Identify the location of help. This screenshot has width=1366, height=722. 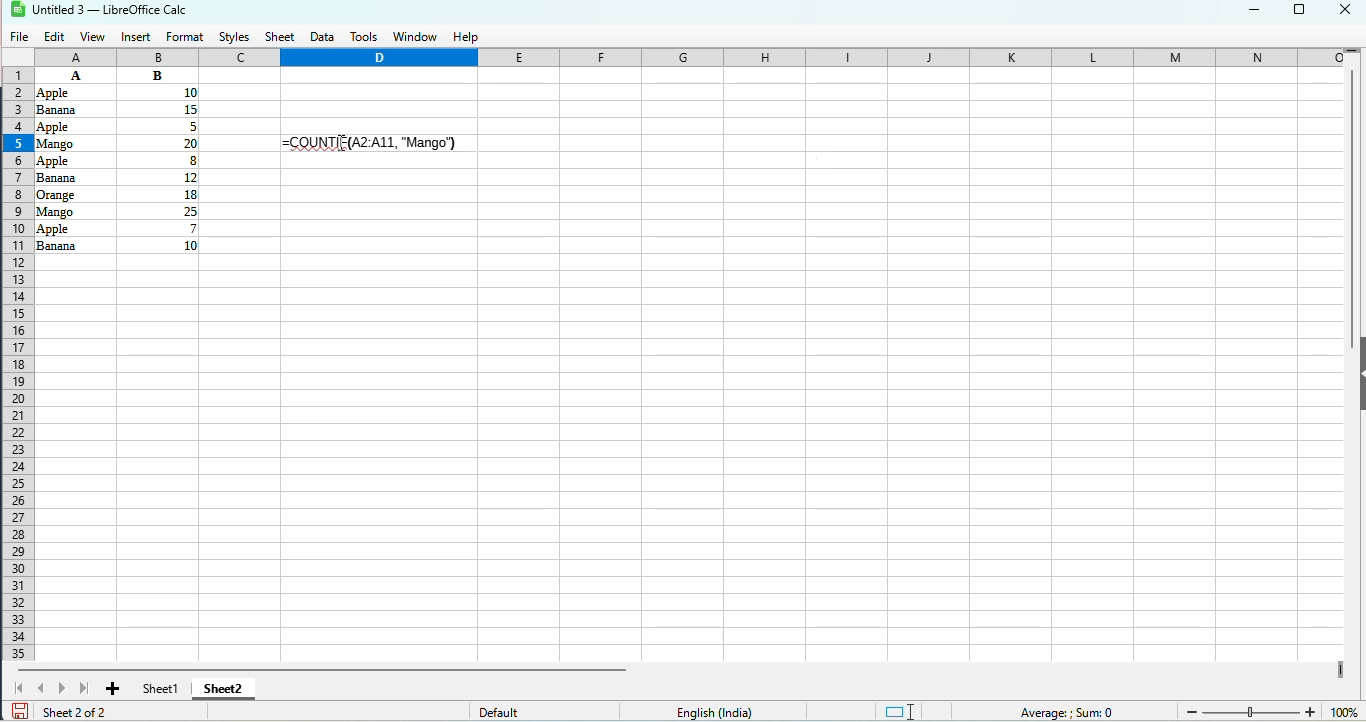
(466, 38).